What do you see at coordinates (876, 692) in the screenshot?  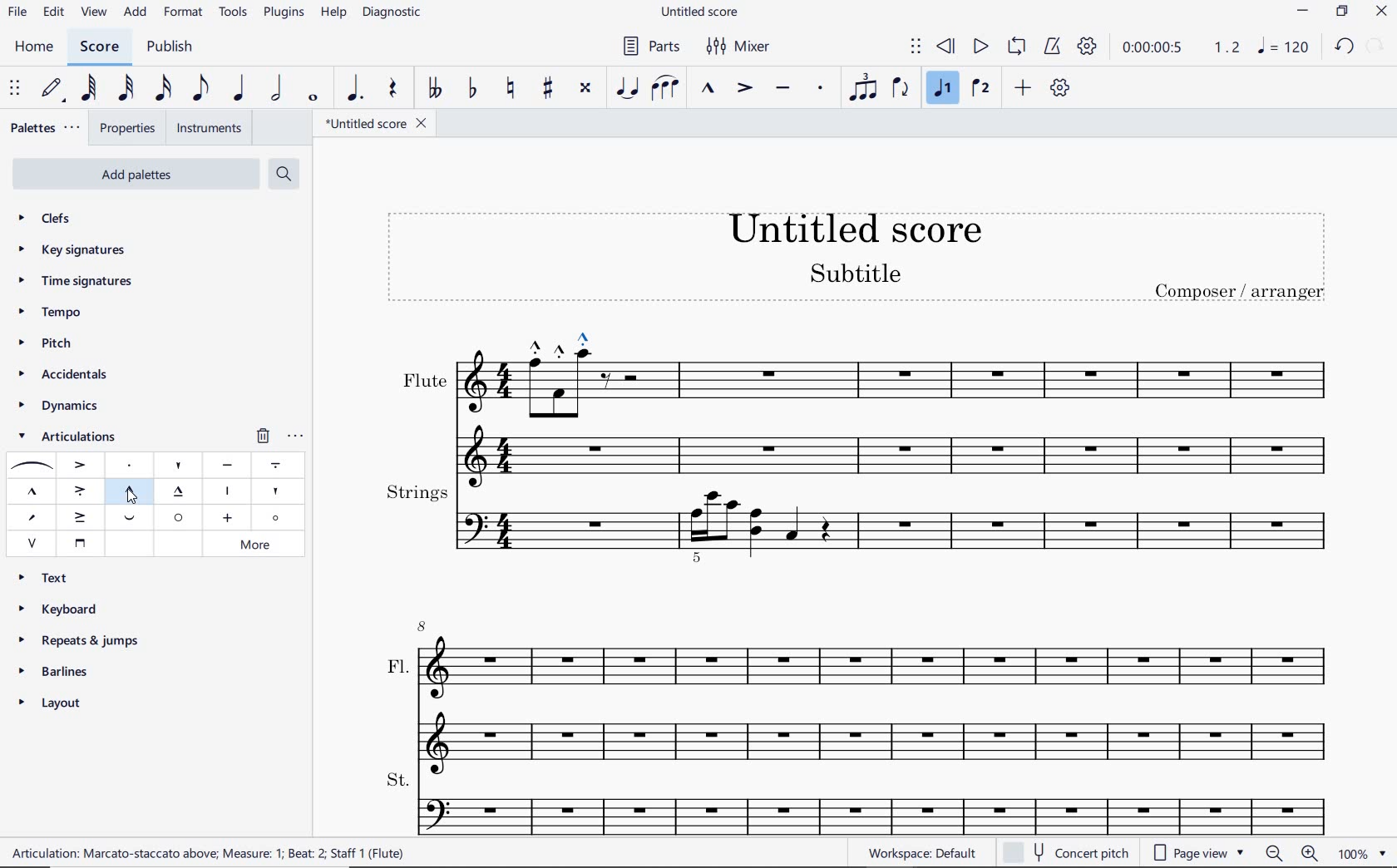 I see `fl.` at bounding box center [876, 692].